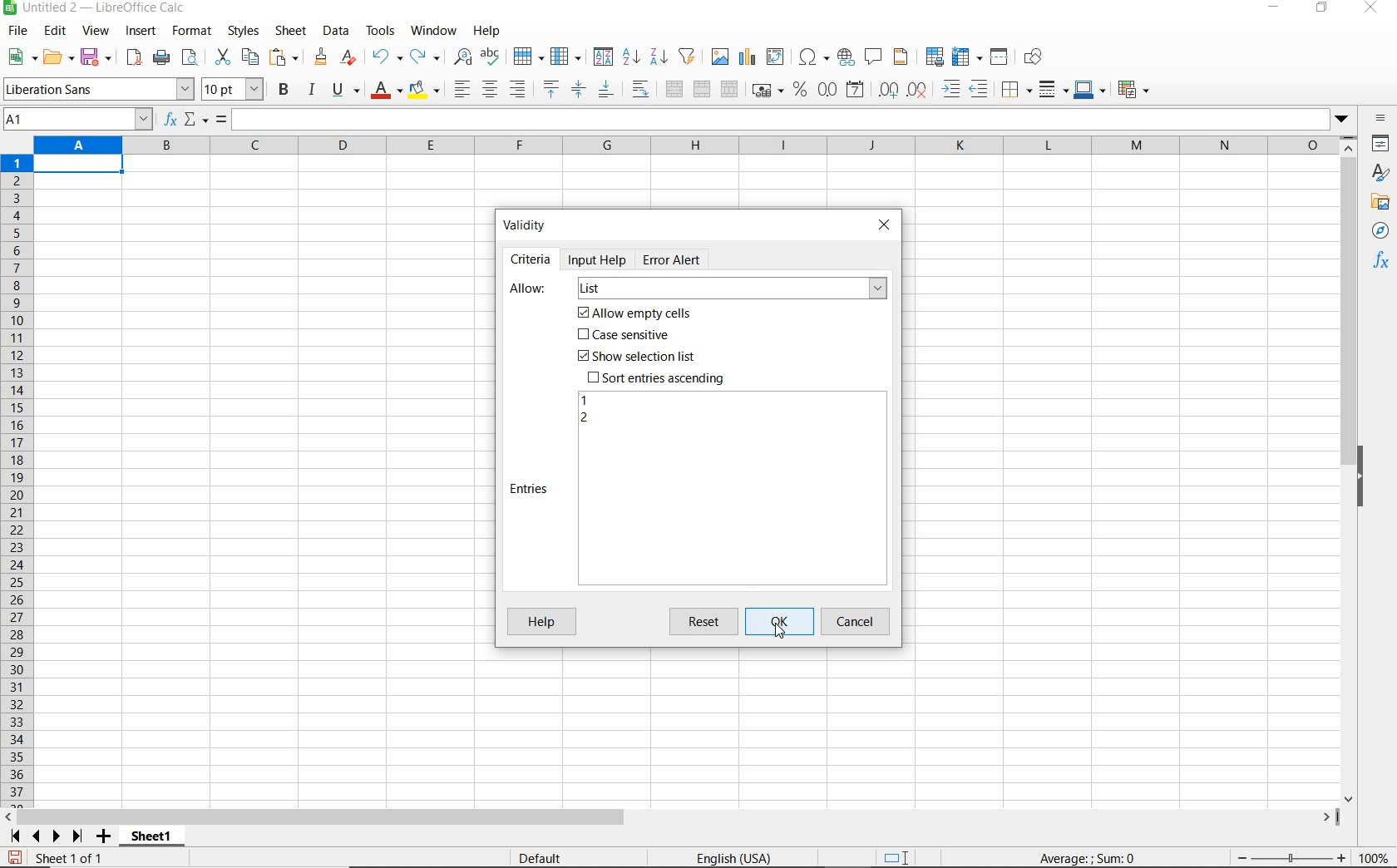 The image size is (1397, 868). Describe the element at coordinates (1382, 145) in the screenshot. I see `properties` at that location.